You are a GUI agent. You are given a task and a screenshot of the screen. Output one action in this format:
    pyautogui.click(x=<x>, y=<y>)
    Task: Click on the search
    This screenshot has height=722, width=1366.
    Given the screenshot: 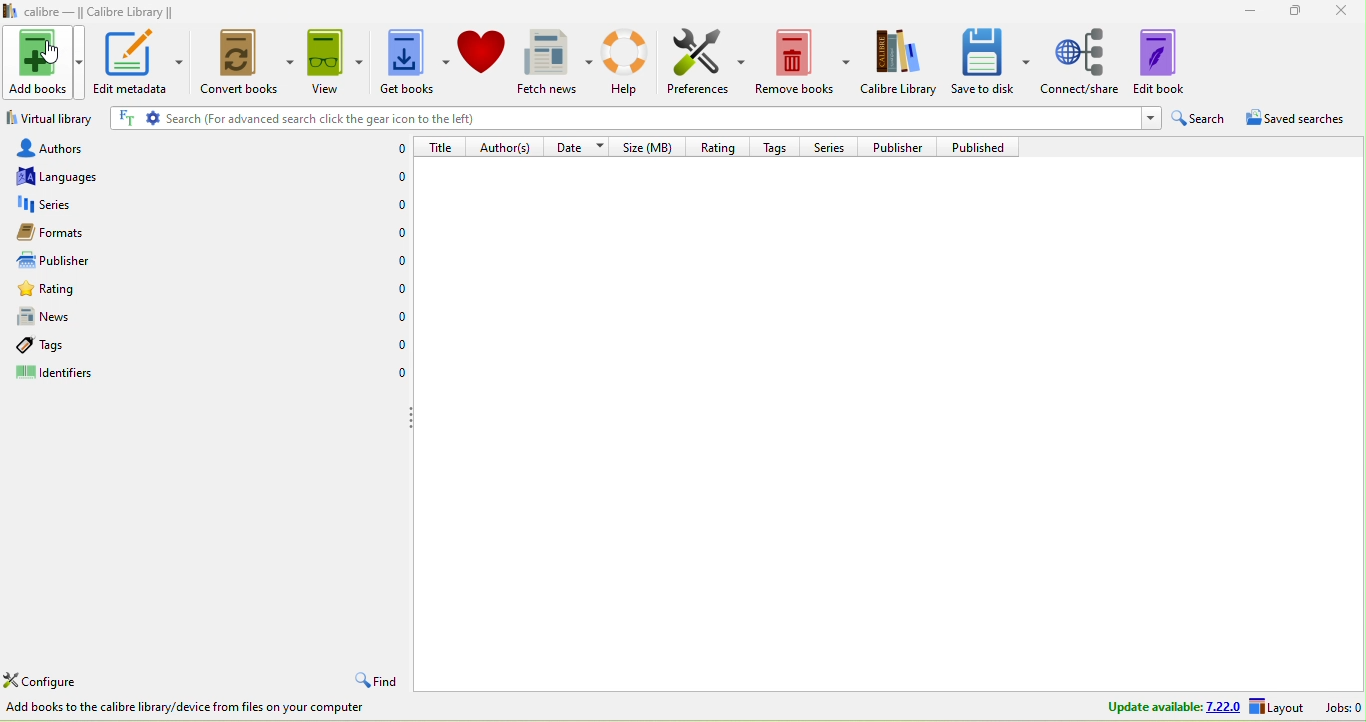 What is the action you would take?
    pyautogui.click(x=1200, y=116)
    